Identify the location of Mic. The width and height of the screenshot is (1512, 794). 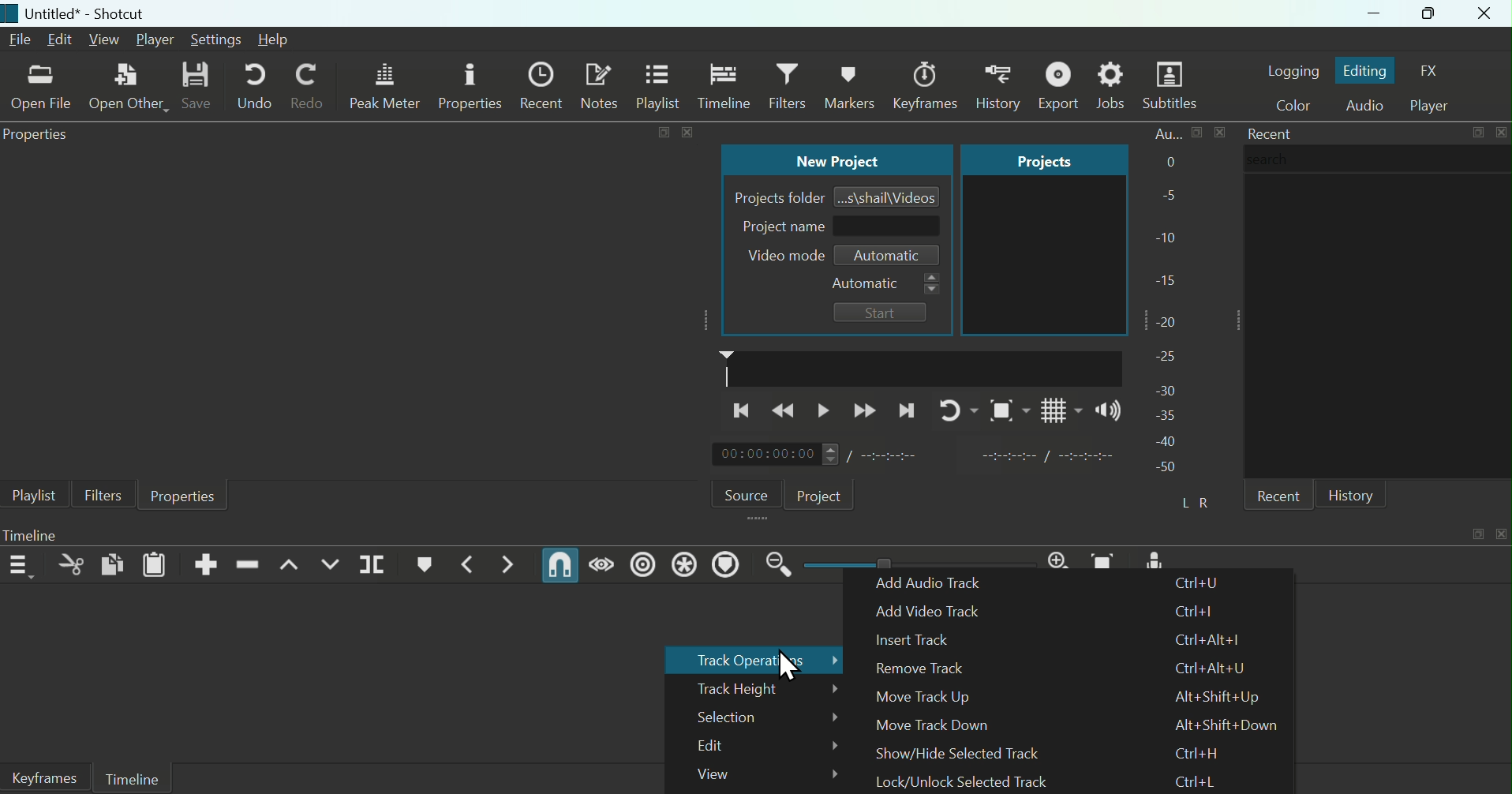
(1158, 559).